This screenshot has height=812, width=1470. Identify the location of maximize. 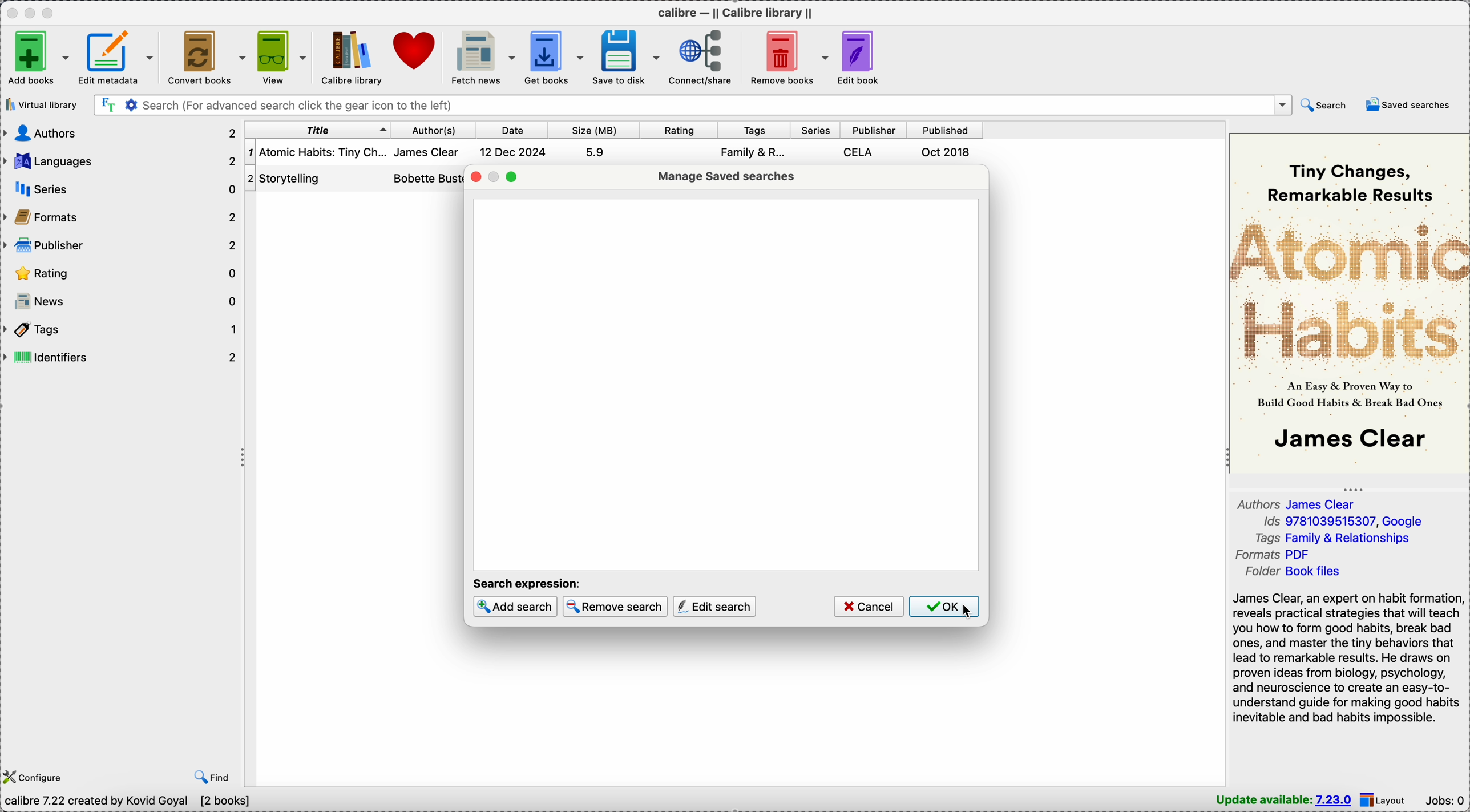
(49, 12).